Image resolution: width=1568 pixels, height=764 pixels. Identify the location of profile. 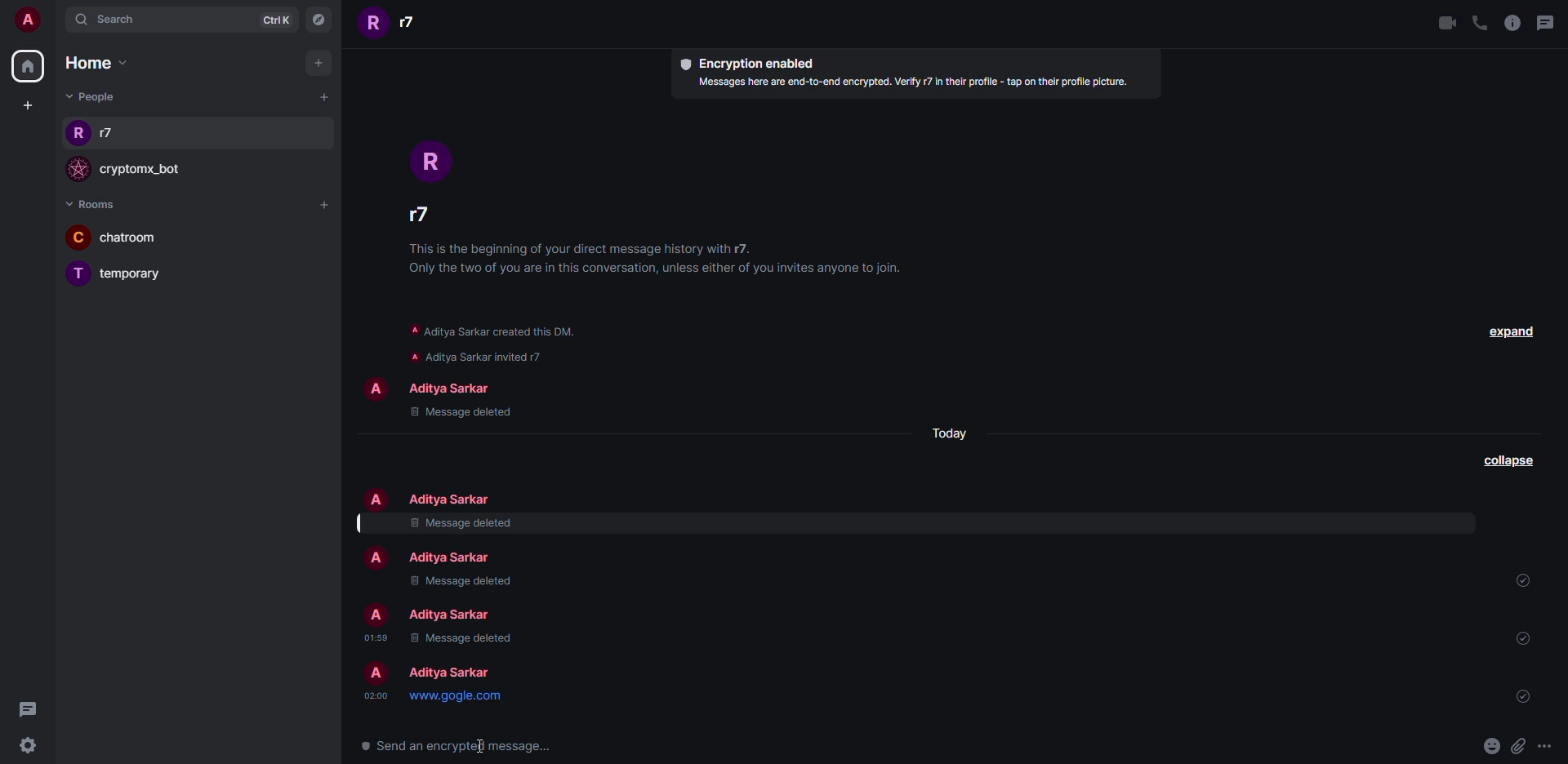
(79, 274).